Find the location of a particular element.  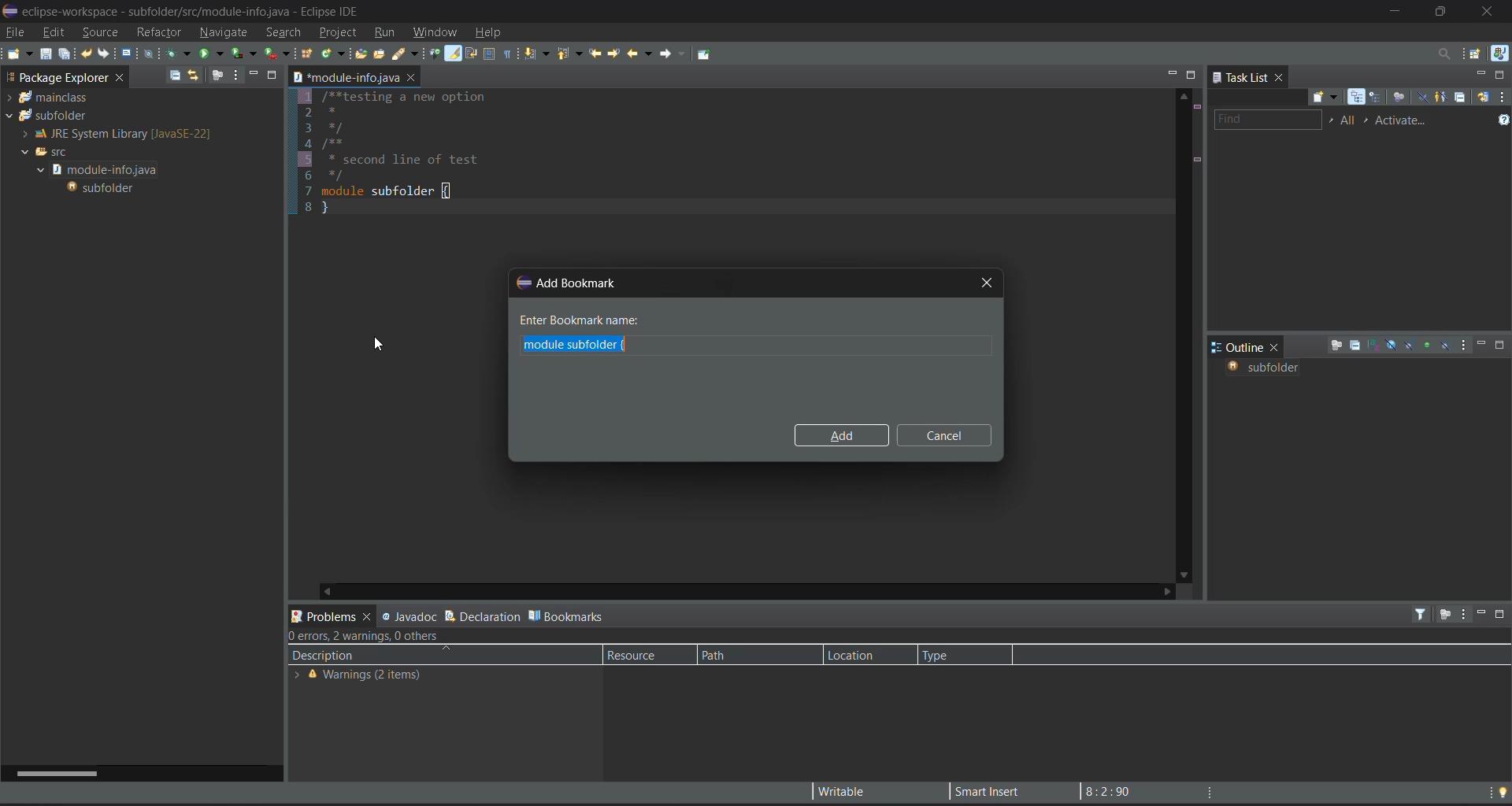

new is located at coordinates (18, 54).